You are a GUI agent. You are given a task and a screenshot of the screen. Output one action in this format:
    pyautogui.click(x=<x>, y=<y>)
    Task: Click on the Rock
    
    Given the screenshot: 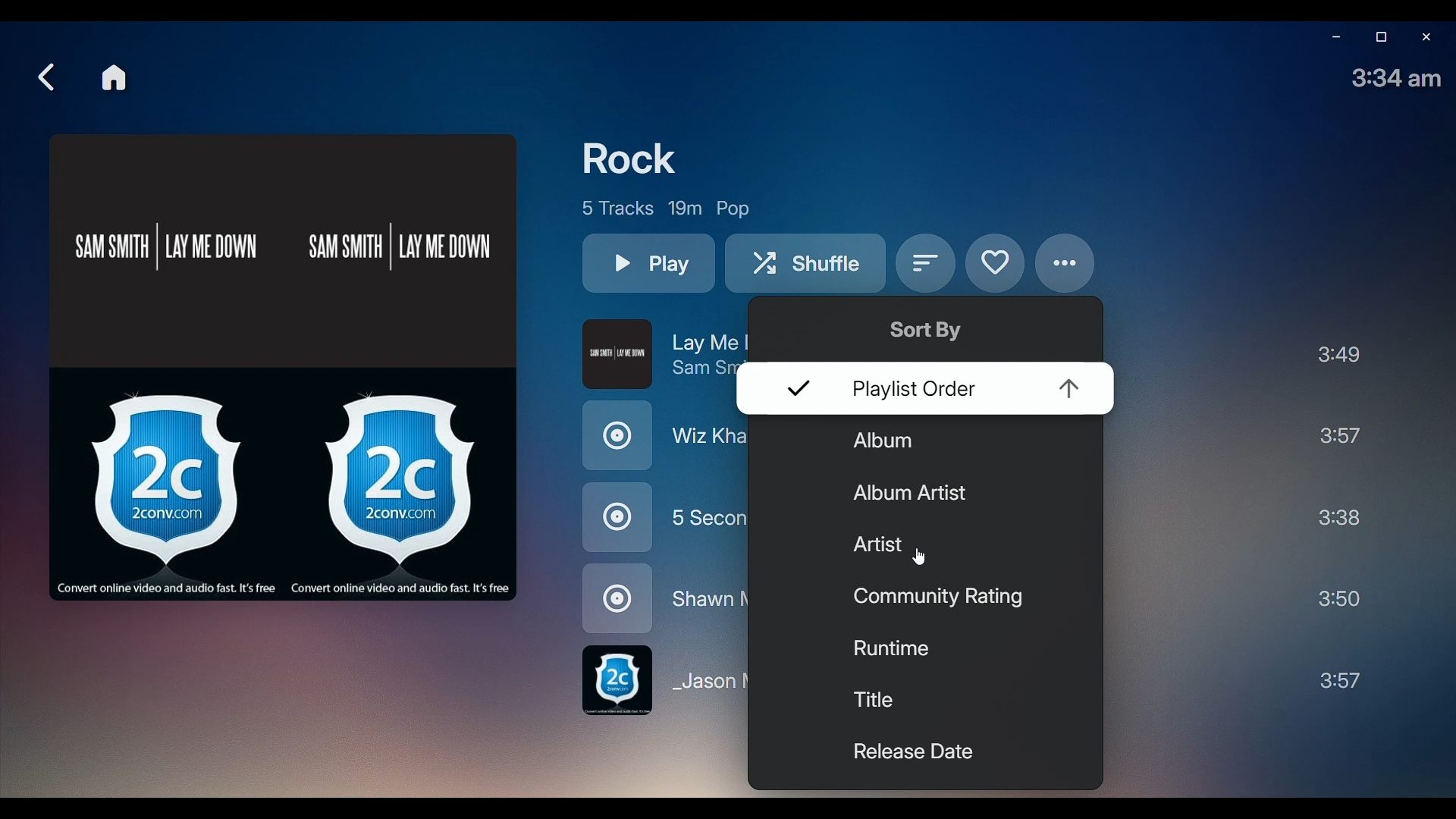 What is the action you would take?
    pyautogui.click(x=637, y=158)
    